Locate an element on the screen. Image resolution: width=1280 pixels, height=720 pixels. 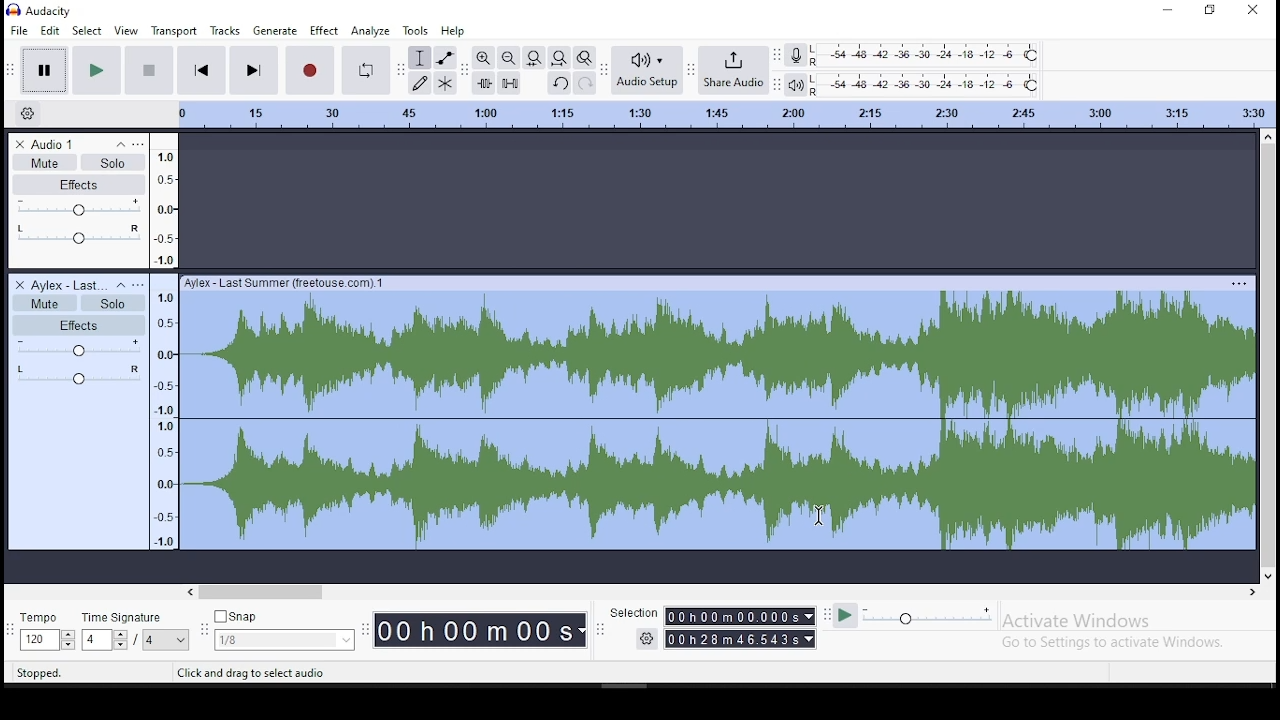
help is located at coordinates (452, 31).